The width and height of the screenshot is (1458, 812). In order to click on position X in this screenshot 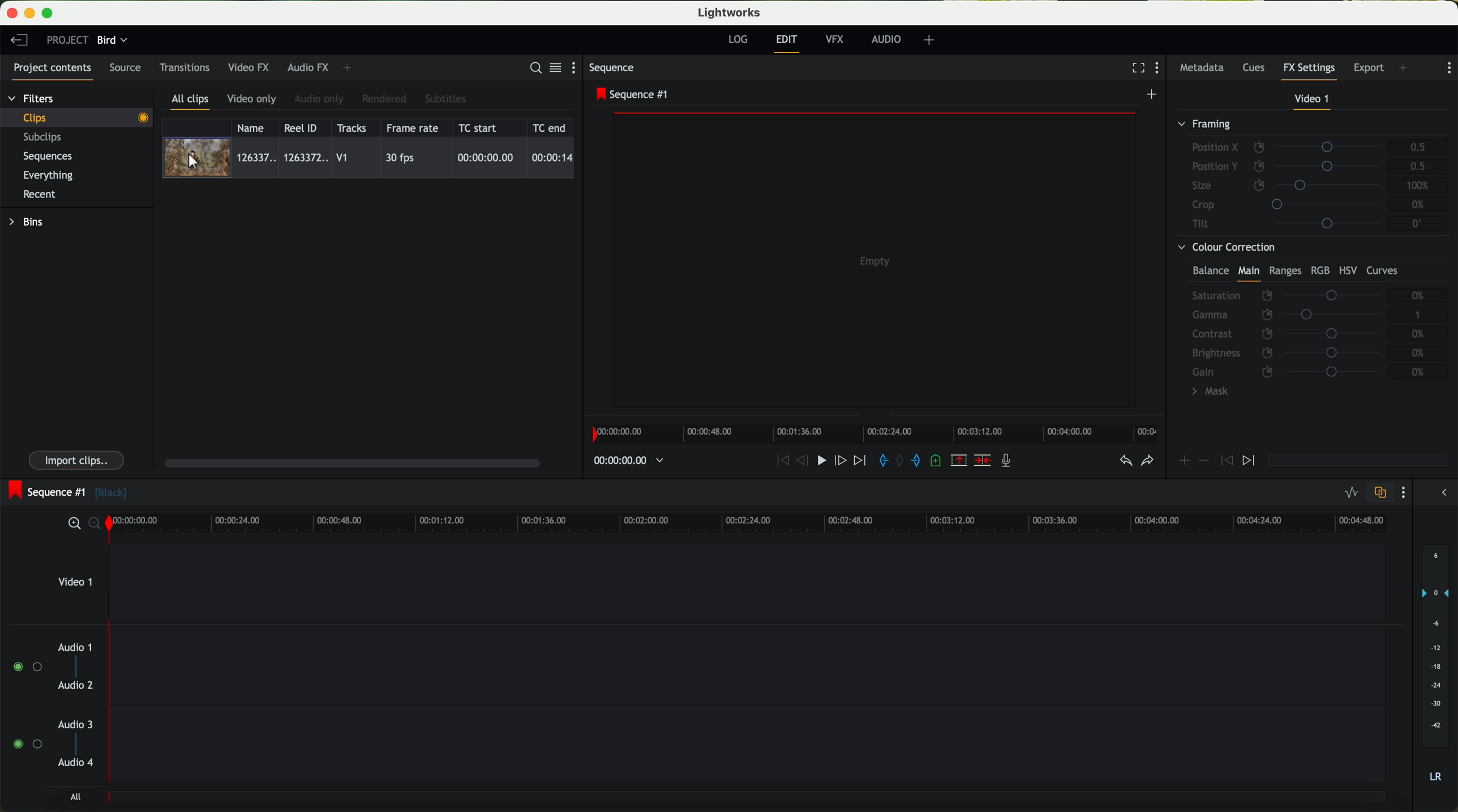, I will do `click(1290, 147)`.